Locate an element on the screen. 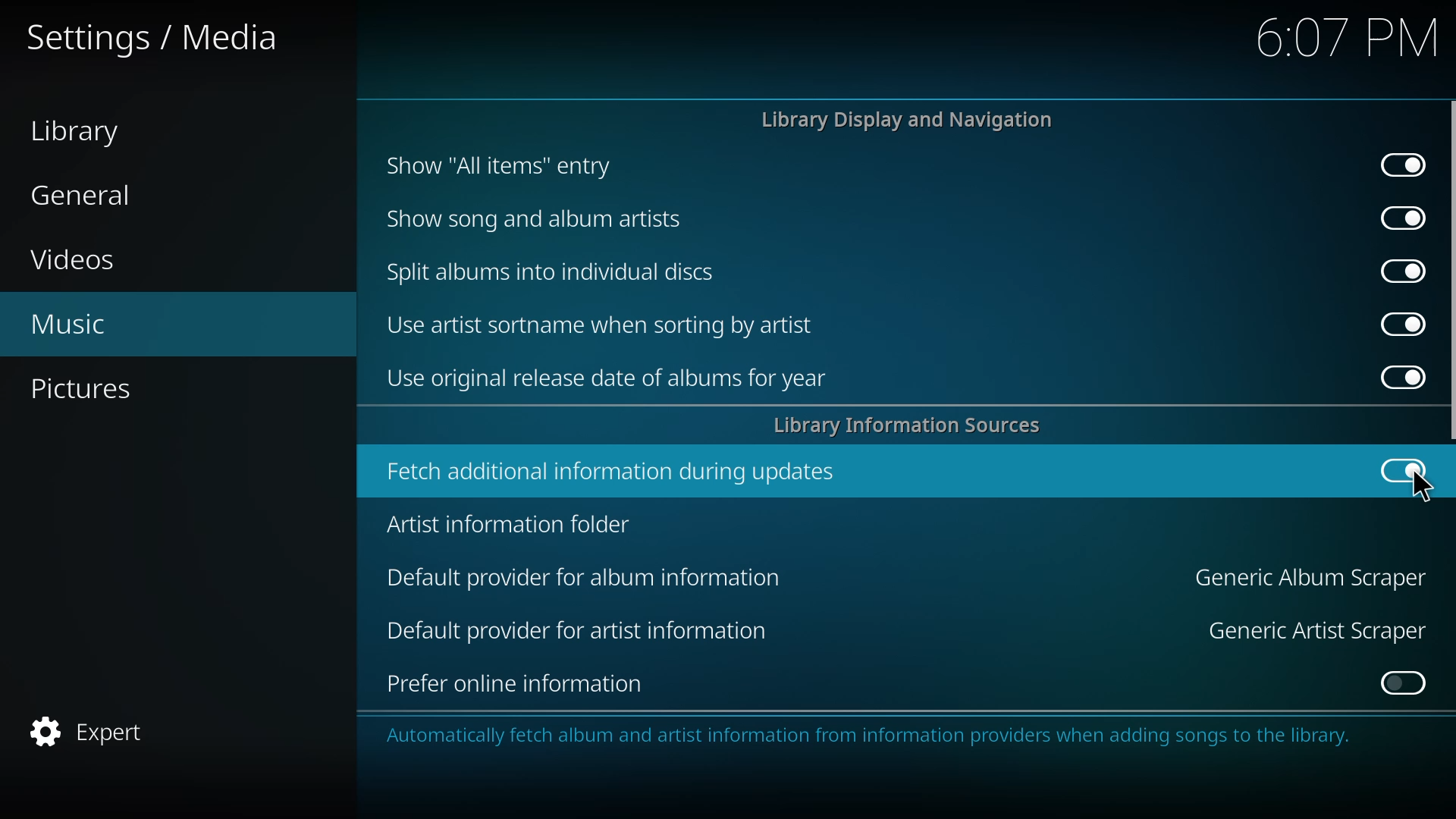  Generic Artist Scraper is located at coordinates (1300, 636).